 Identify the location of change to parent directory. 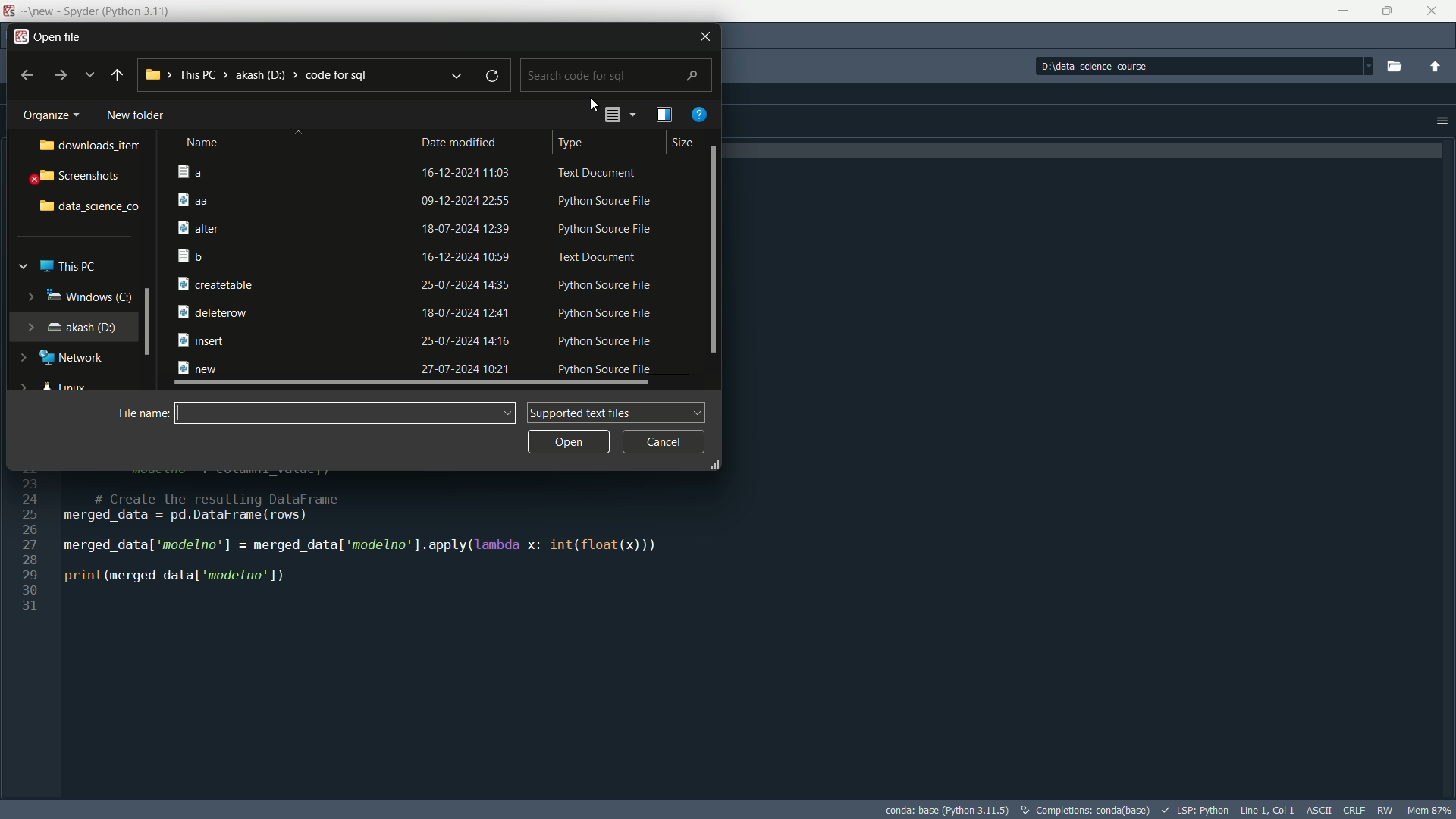
(1438, 68).